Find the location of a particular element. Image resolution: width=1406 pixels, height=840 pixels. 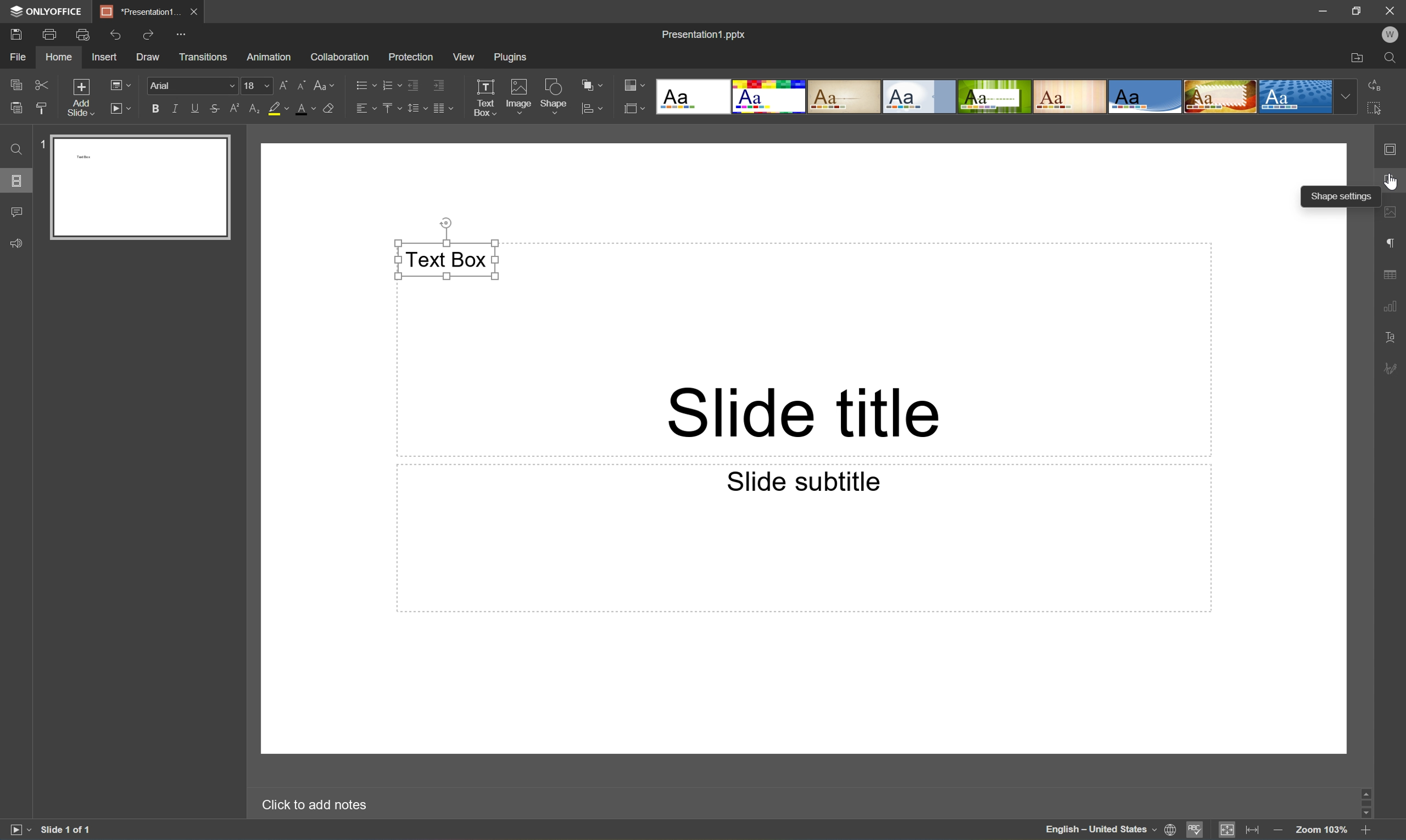

Signature settings is located at coordinates (1394, 367).